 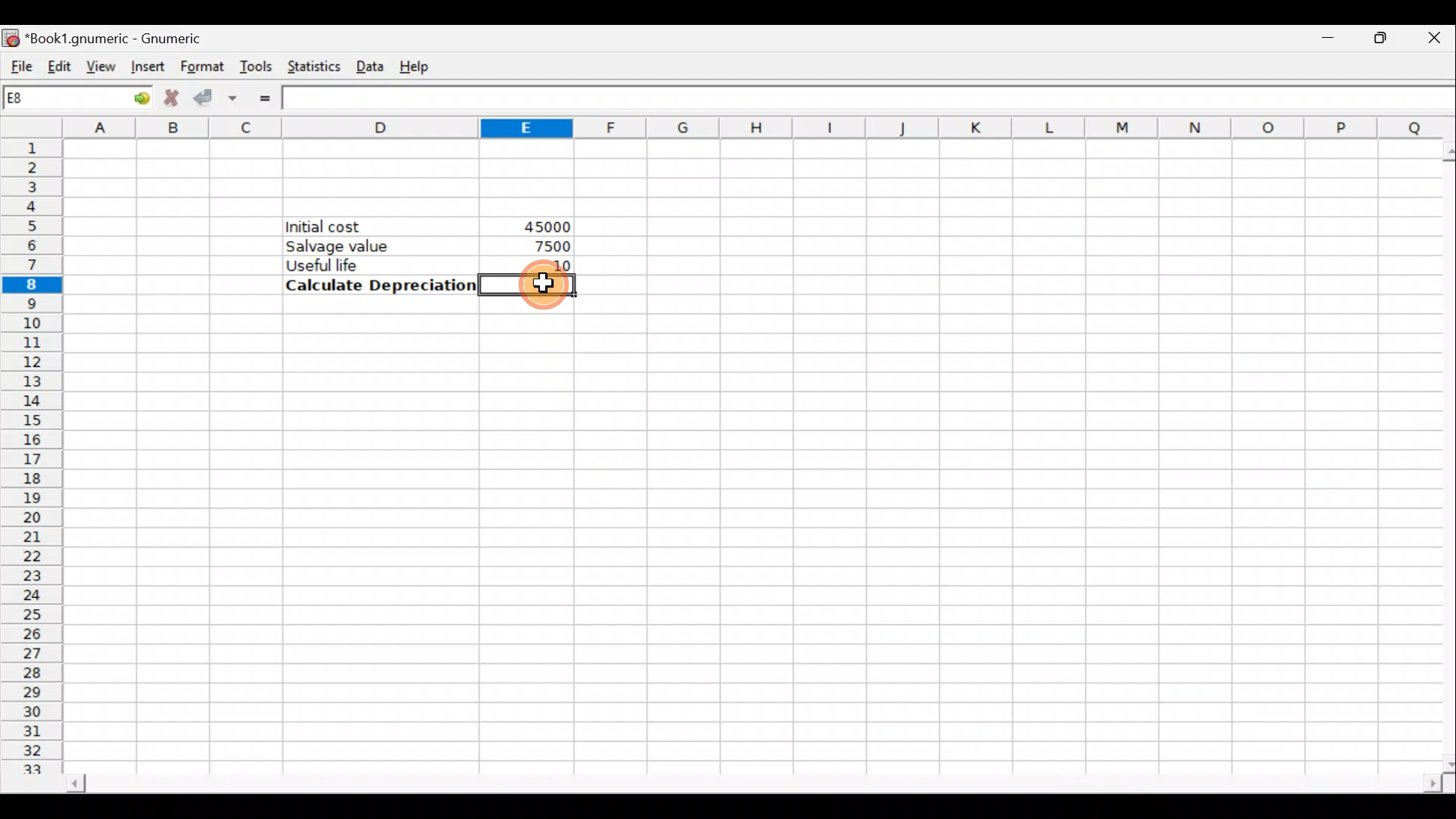 I want to click on Calculate Depreciation, so click(x=376, y=285).